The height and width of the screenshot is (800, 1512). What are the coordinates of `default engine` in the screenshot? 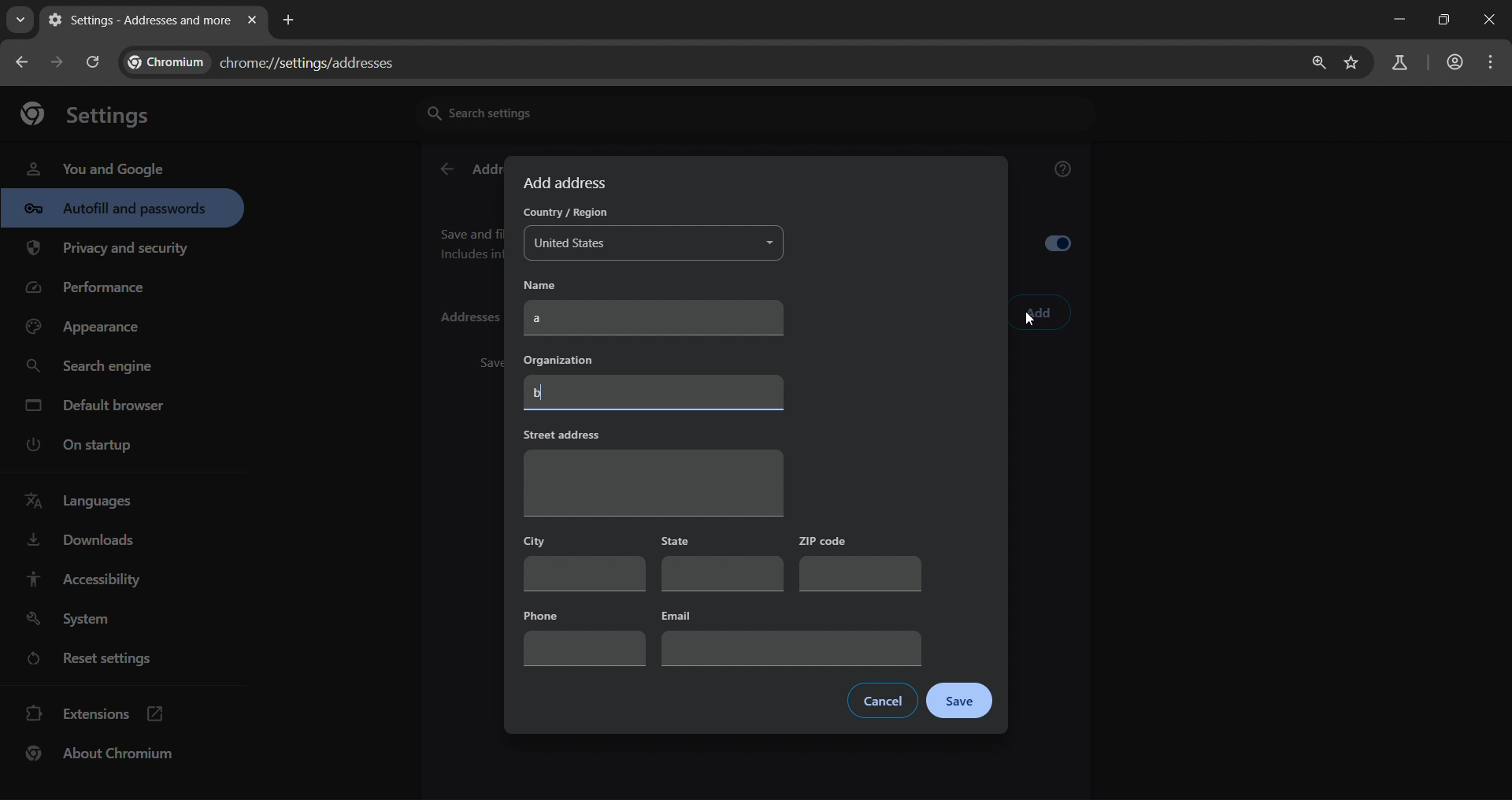 It's located at (98, 408).